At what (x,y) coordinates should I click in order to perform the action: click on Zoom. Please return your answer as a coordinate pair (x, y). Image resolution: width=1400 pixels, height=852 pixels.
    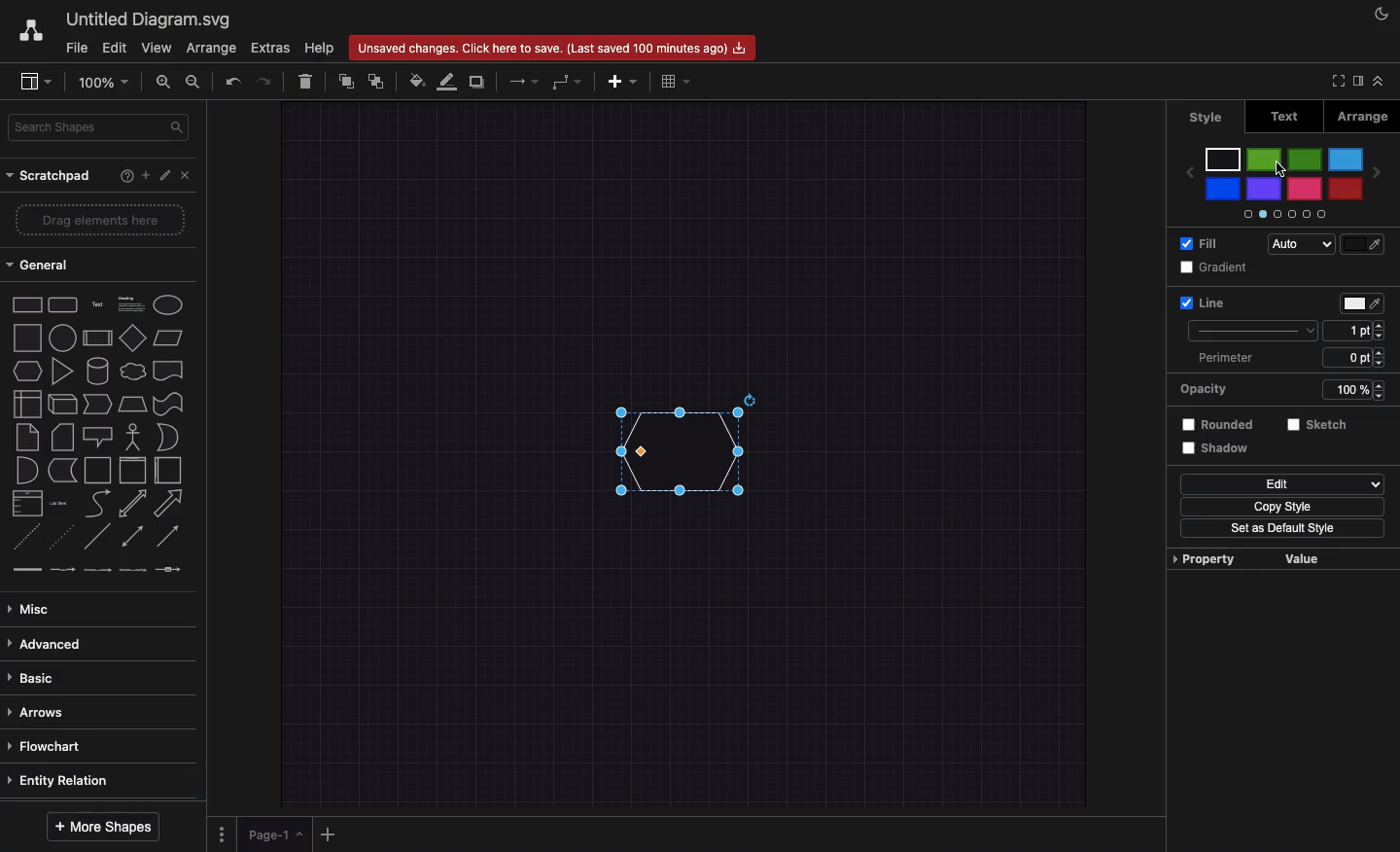
    Looking at the image, I should click on (103, 86).